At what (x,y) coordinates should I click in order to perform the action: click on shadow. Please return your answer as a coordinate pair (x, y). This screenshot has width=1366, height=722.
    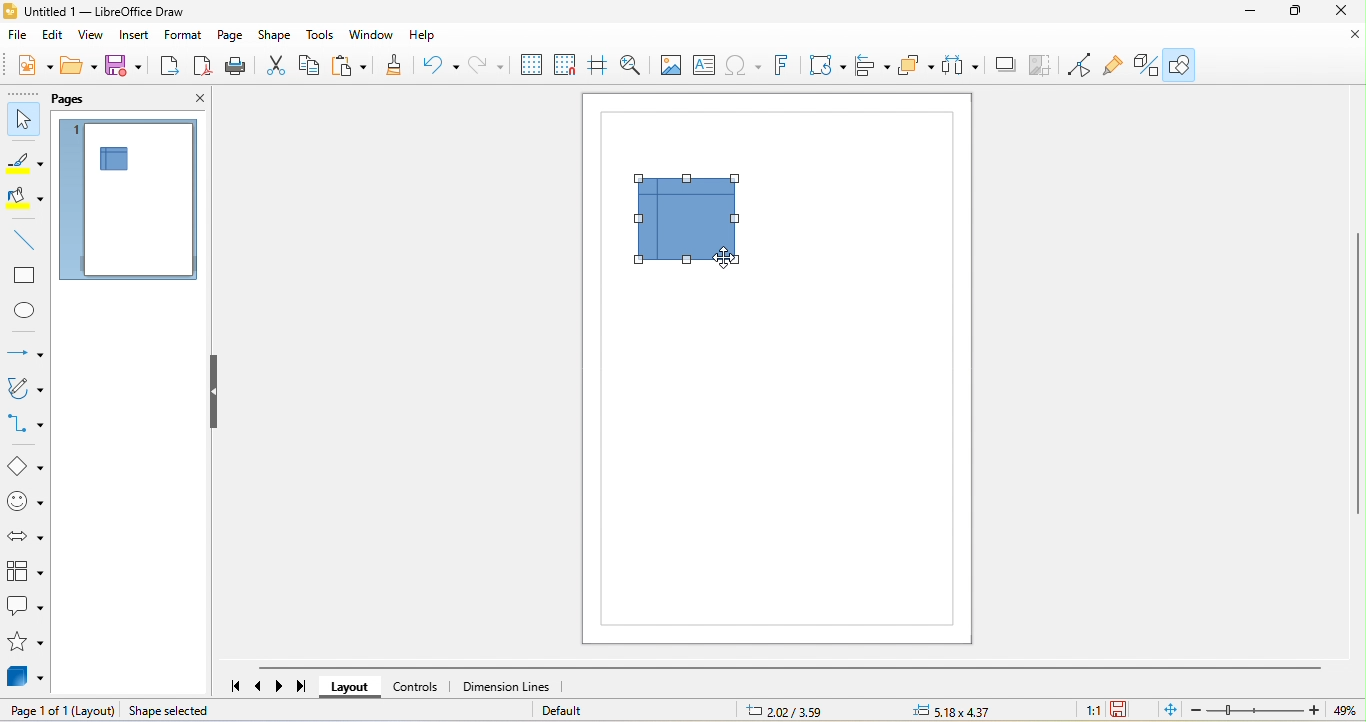
    Looking at the image, I should click on (1009, 65).